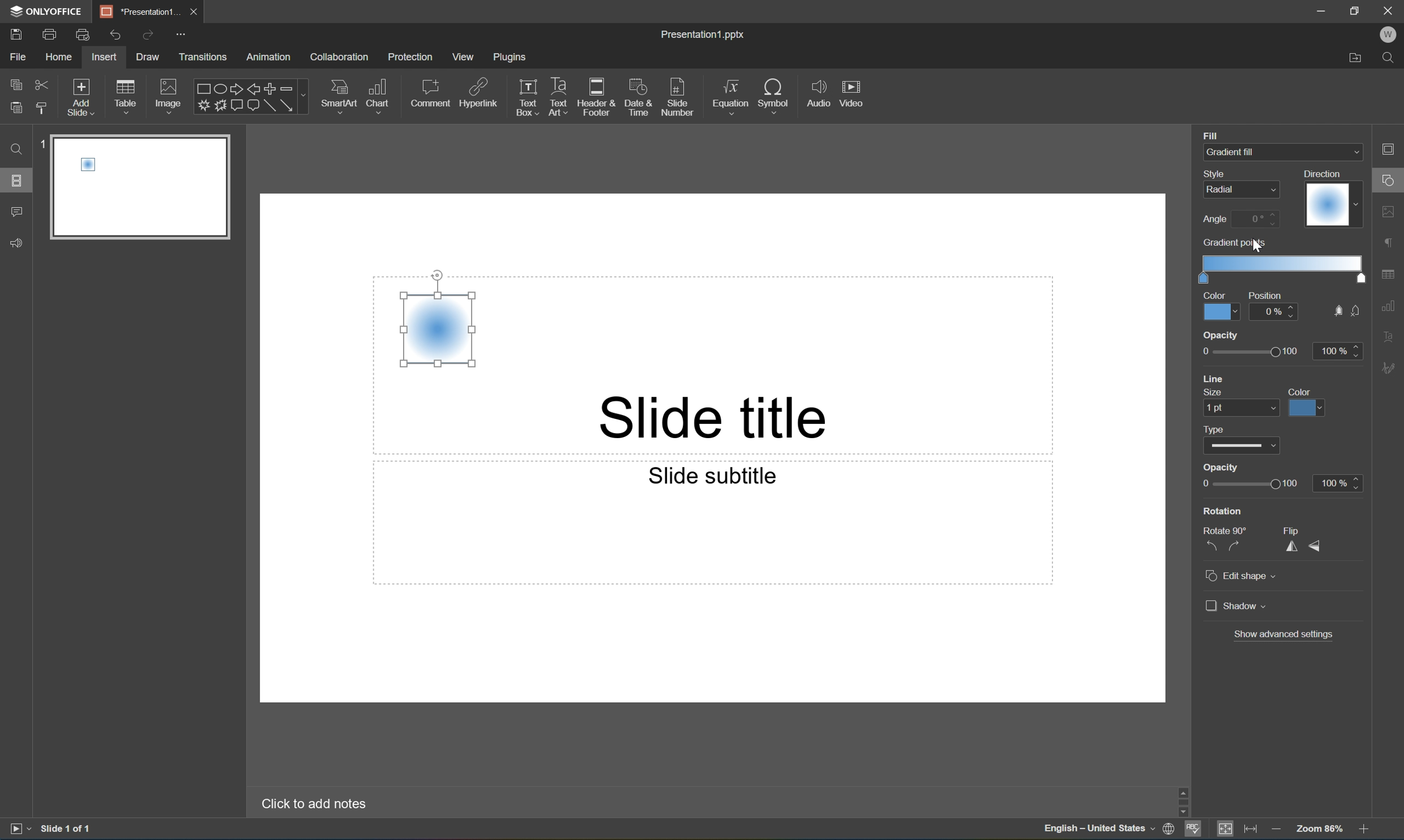 The width and height of the screenshot is (1404, 840). What do you see at coordinates (850, 92) in the screenshot?
I see `Video` at bounding box center [850, 92].